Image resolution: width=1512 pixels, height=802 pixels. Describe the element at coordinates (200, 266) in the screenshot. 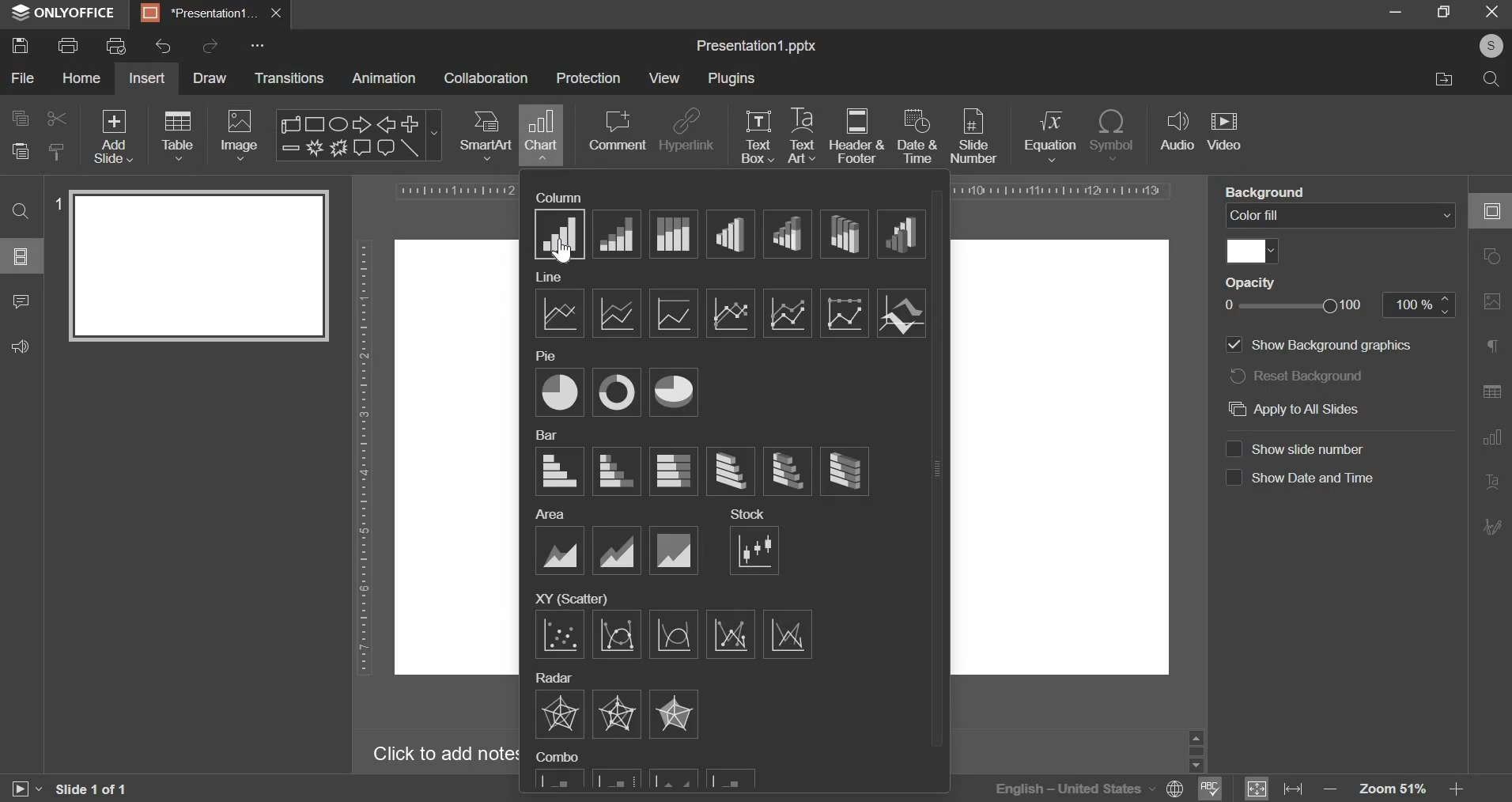

I see `slide preview` at that location.